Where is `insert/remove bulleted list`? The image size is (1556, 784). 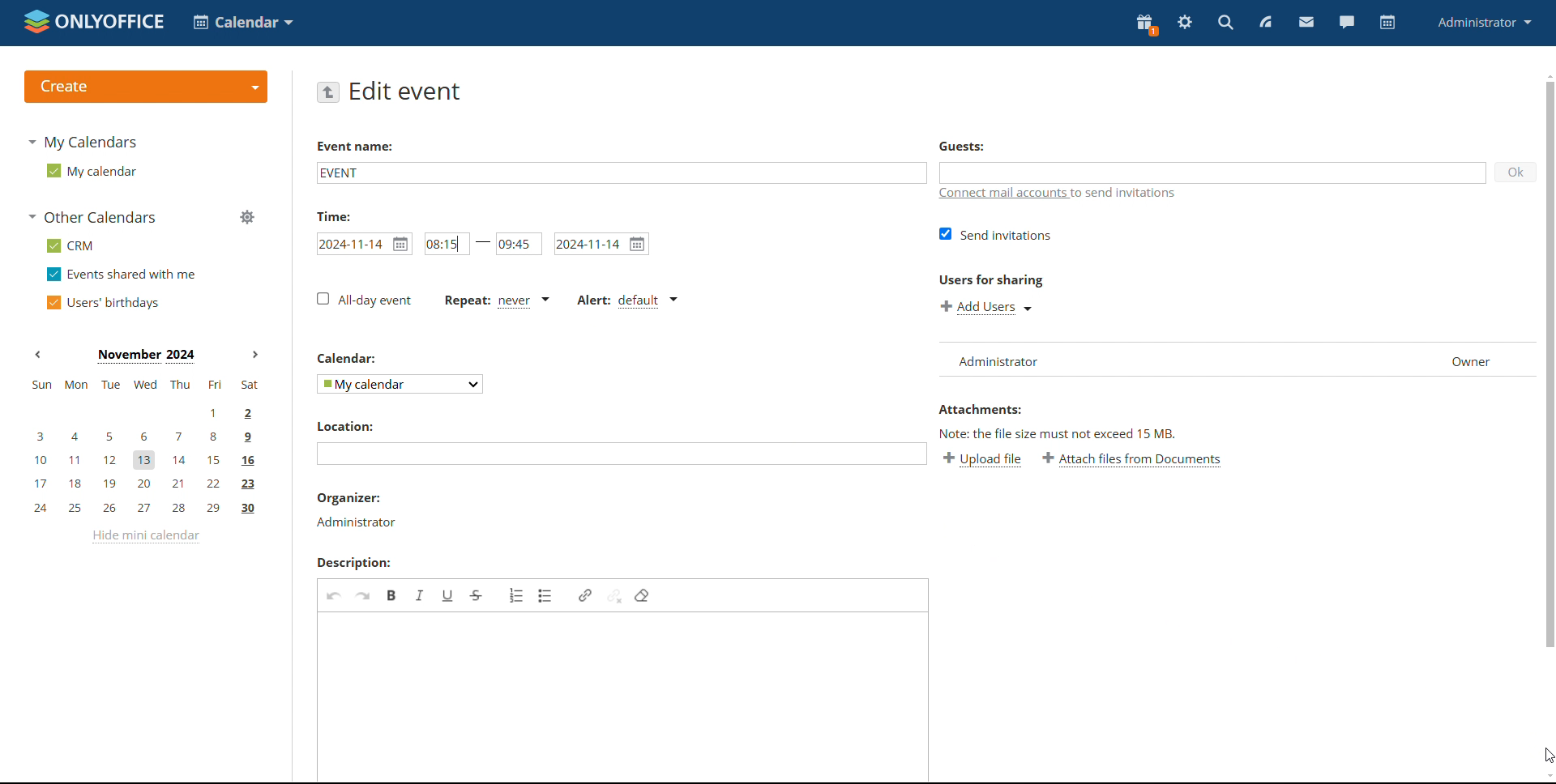
insert/remove bulleted list is located at coordinates (546, 596).